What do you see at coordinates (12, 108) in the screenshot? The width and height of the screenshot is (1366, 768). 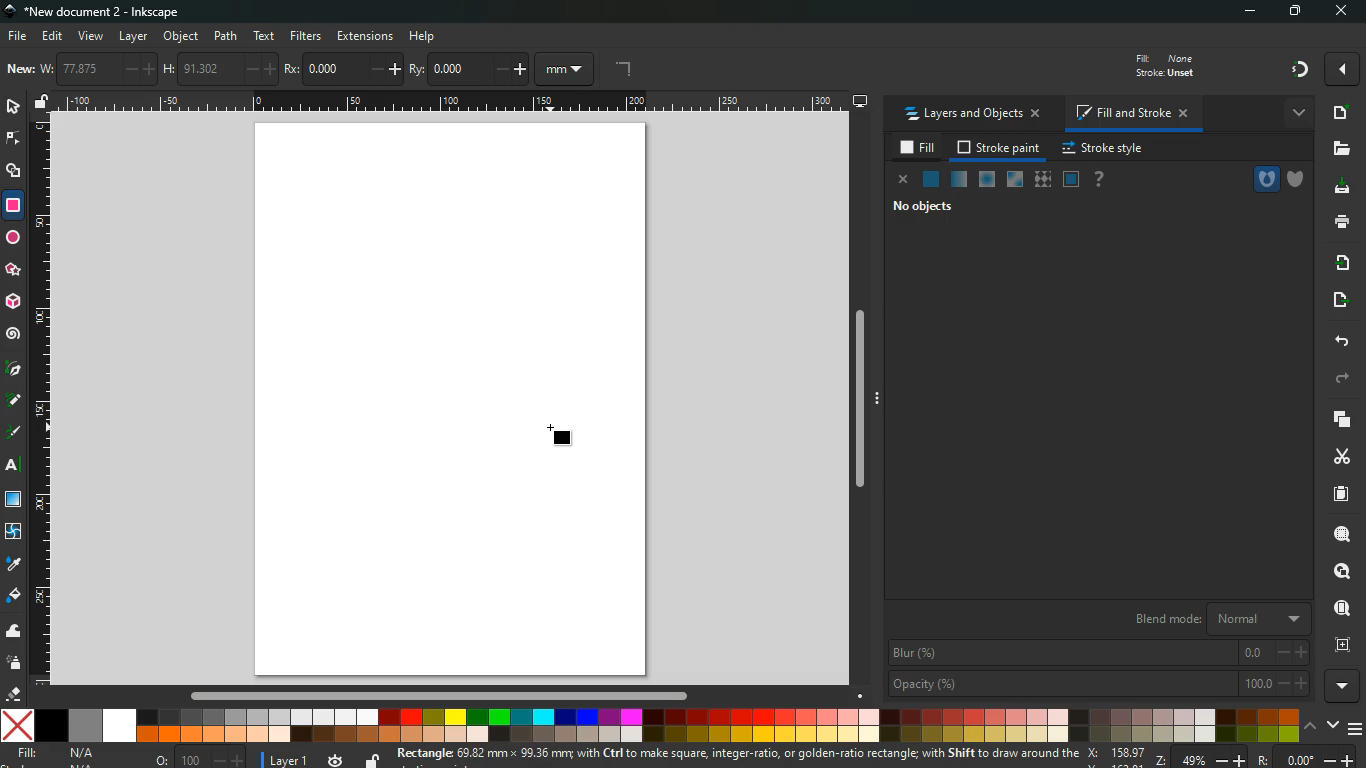 I see `select` at bounding box center [12, 108].